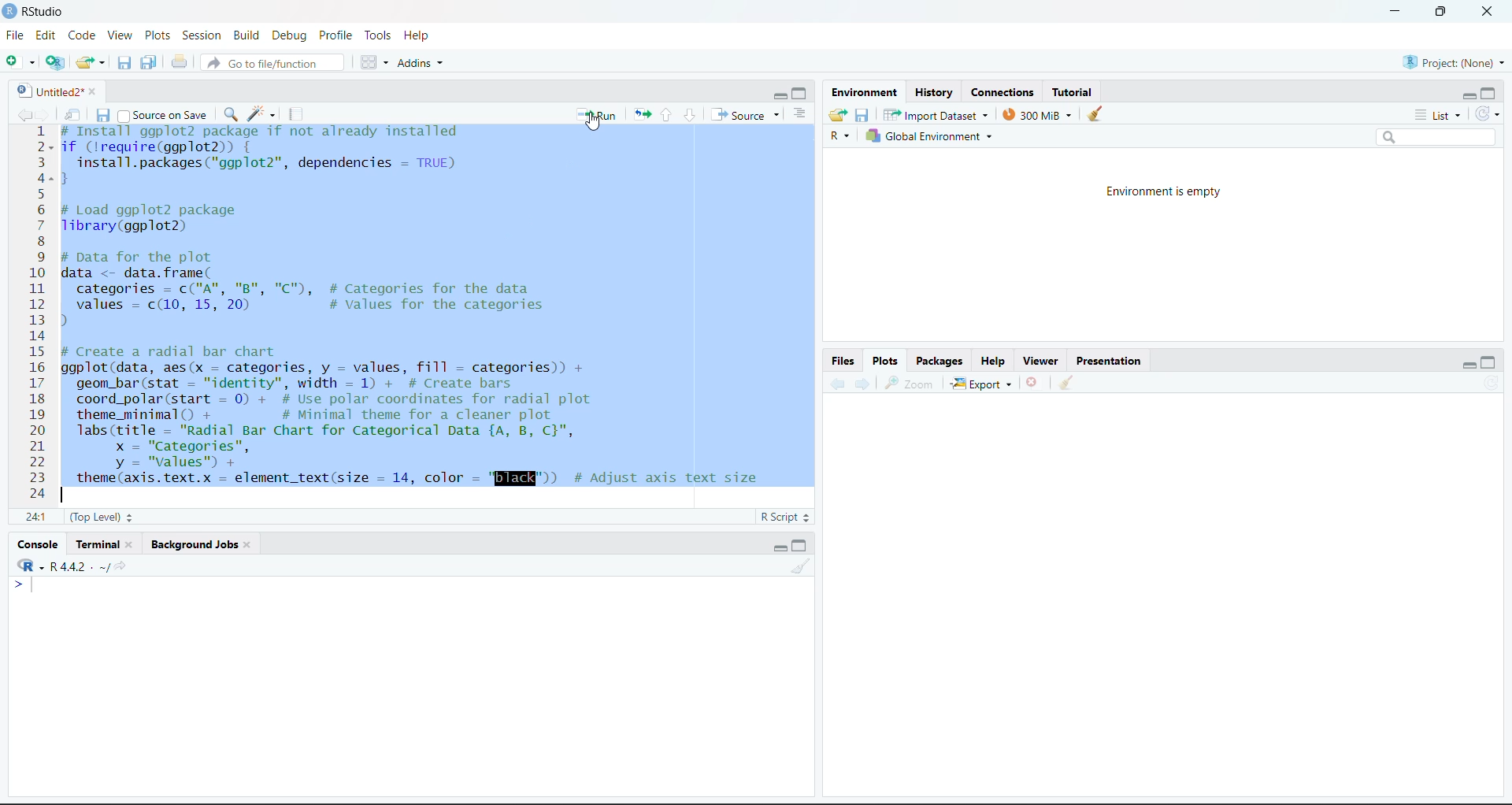  Describe the element at coordinates (833, 385) in the screenshot. I see `go back` at that location.